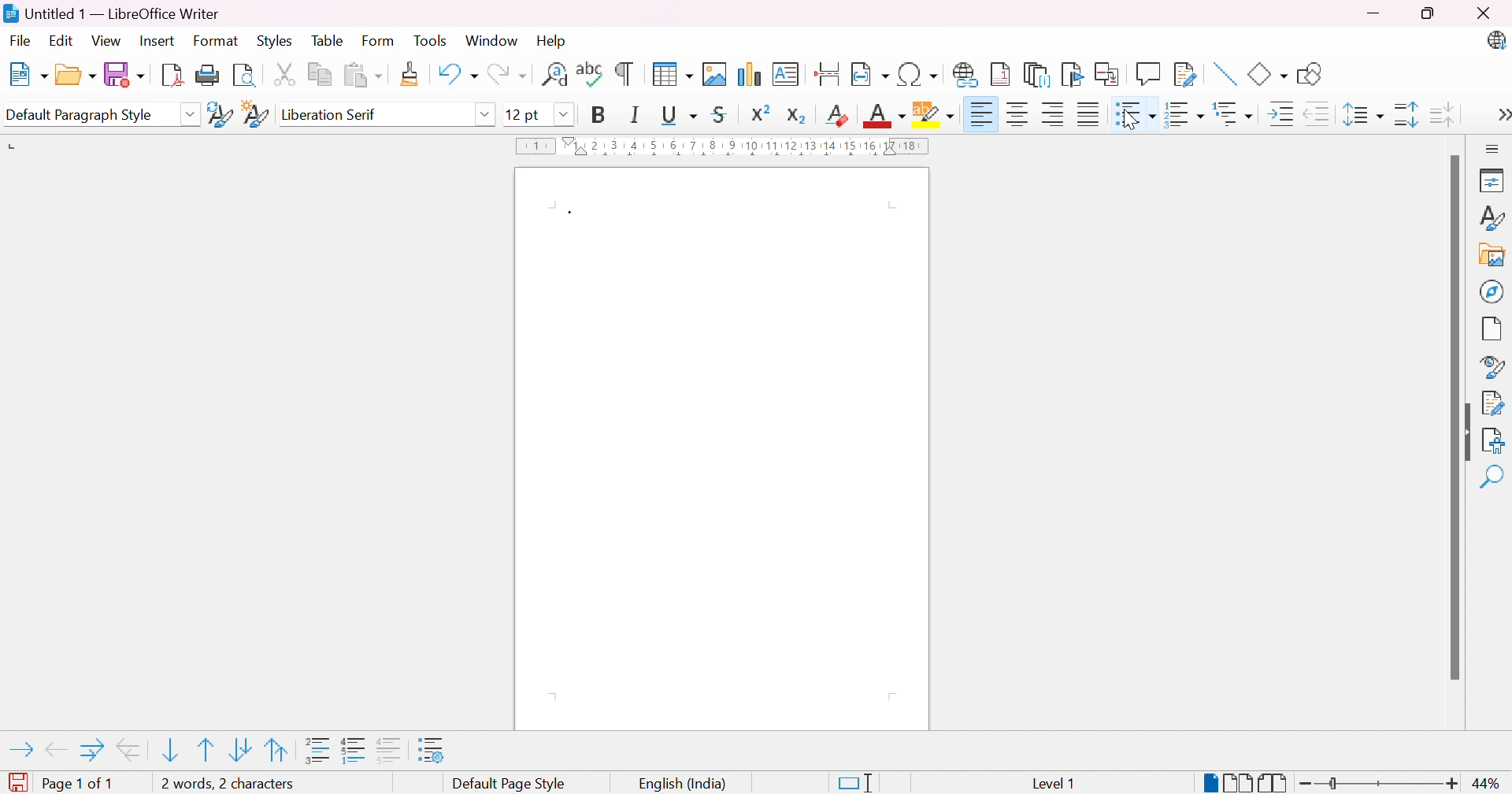 Image resolution: width=1512 pixels, height=794 pixels. What do you see at coordinates (506, 76) in the screenshot?
I see `Redo` at bounding box center [506, 76].